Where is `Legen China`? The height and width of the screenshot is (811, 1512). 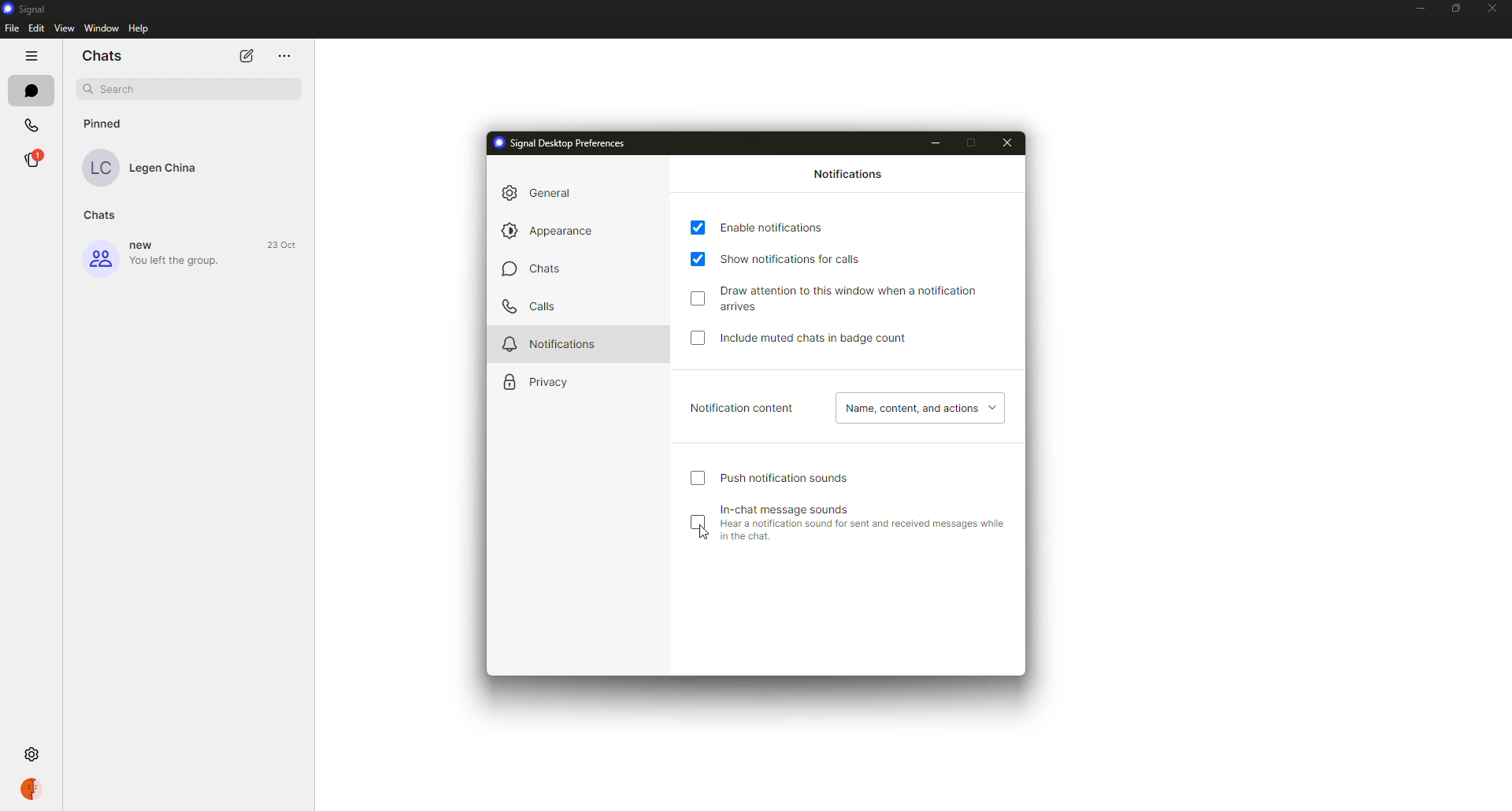 Legen China is located at coordinates (164, 168).